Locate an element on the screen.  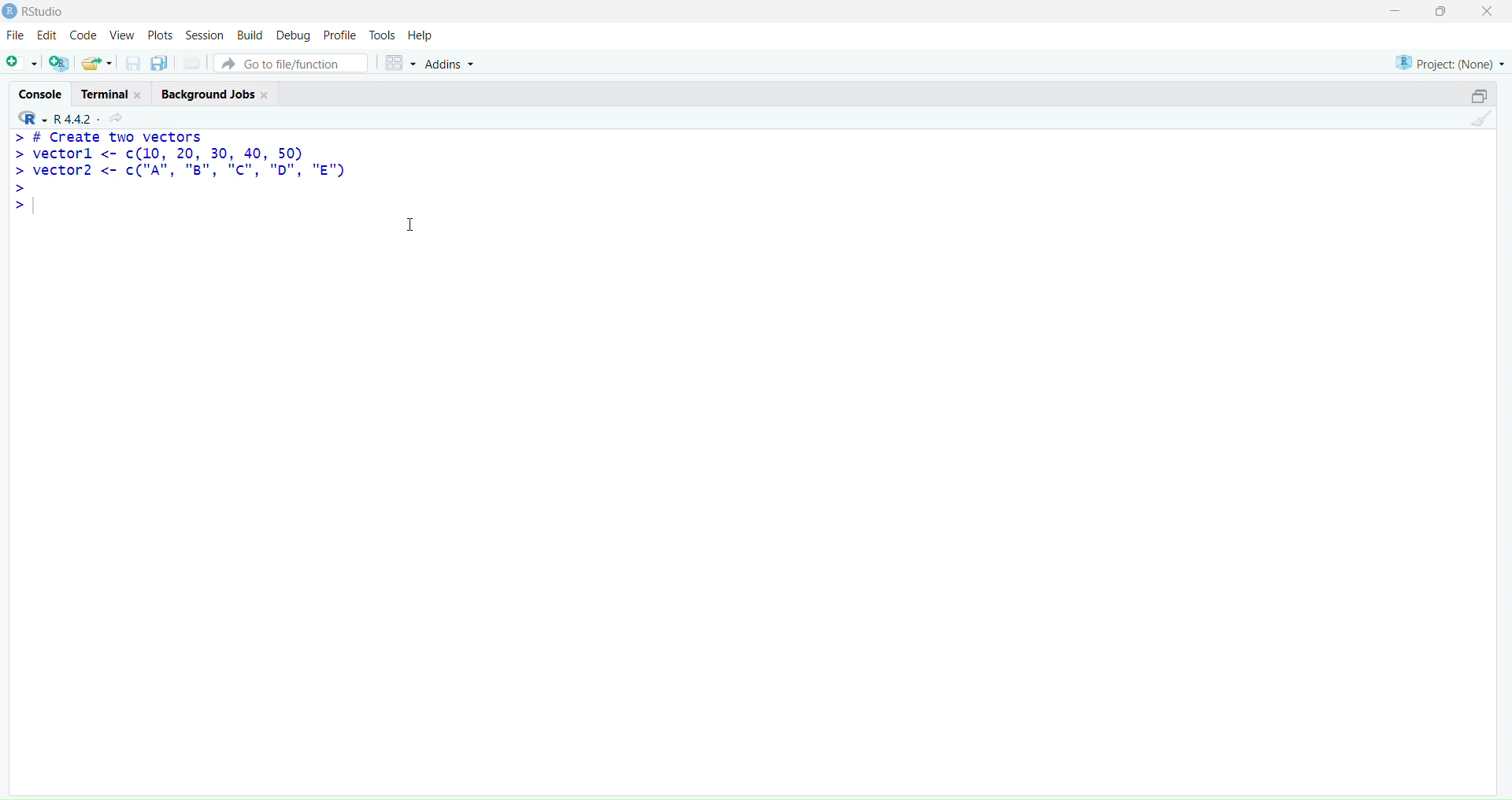
File is located at coordinates (17, 35).